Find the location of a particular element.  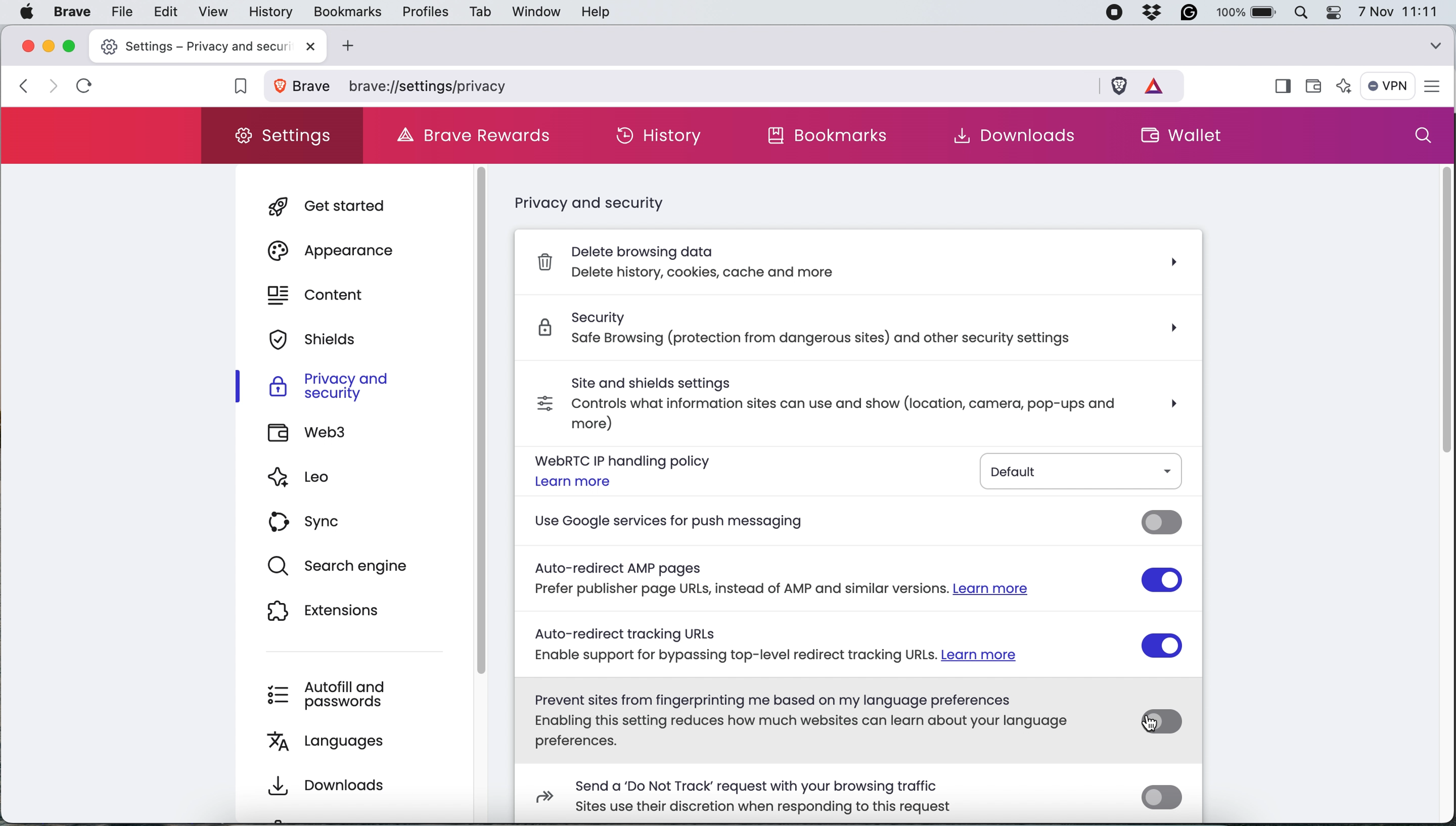

rewards is located at coordinates (1160, 84).